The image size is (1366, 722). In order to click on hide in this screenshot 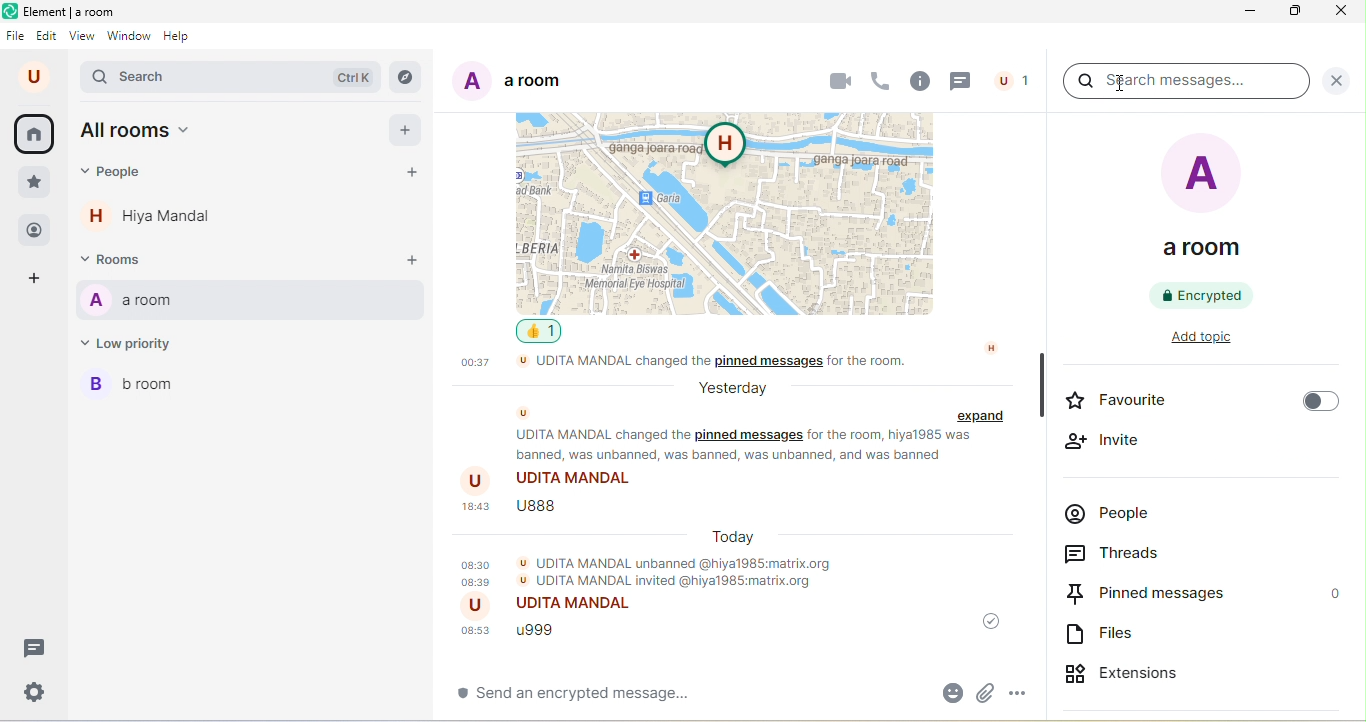, I will do `click(1040, 385)`.